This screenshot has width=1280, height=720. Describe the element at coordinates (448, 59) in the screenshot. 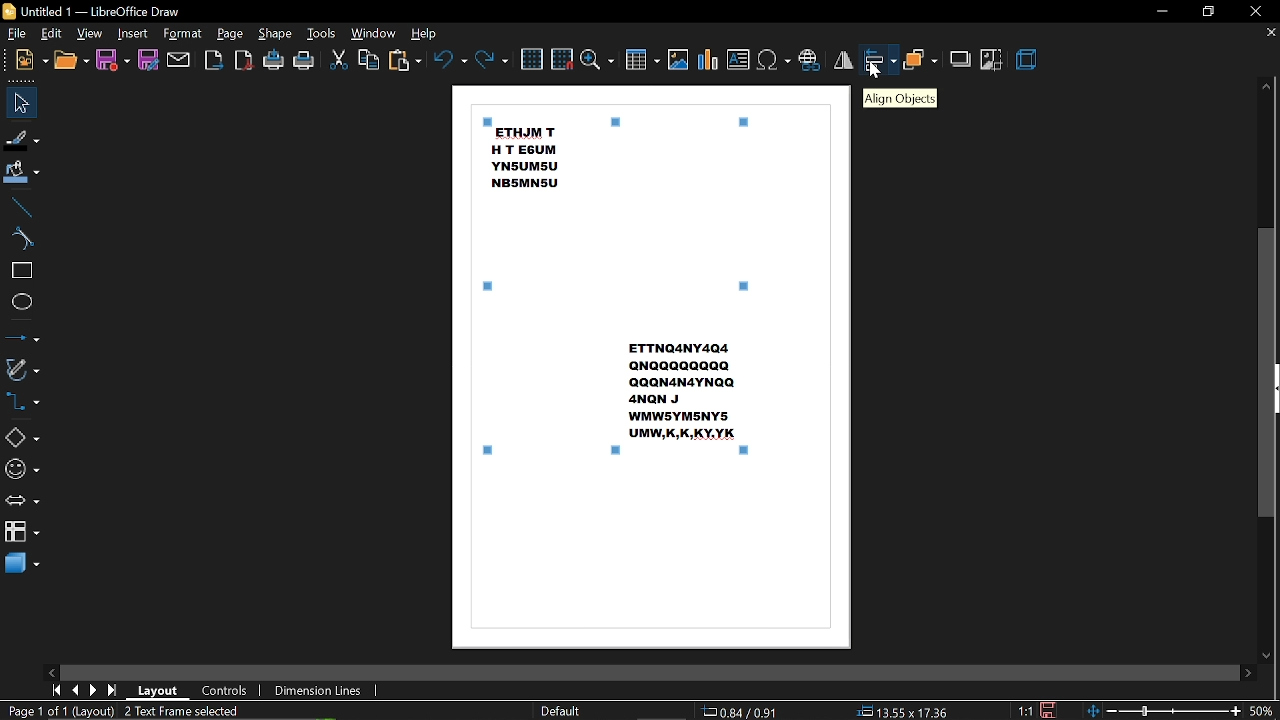

I see `undo` at that location.